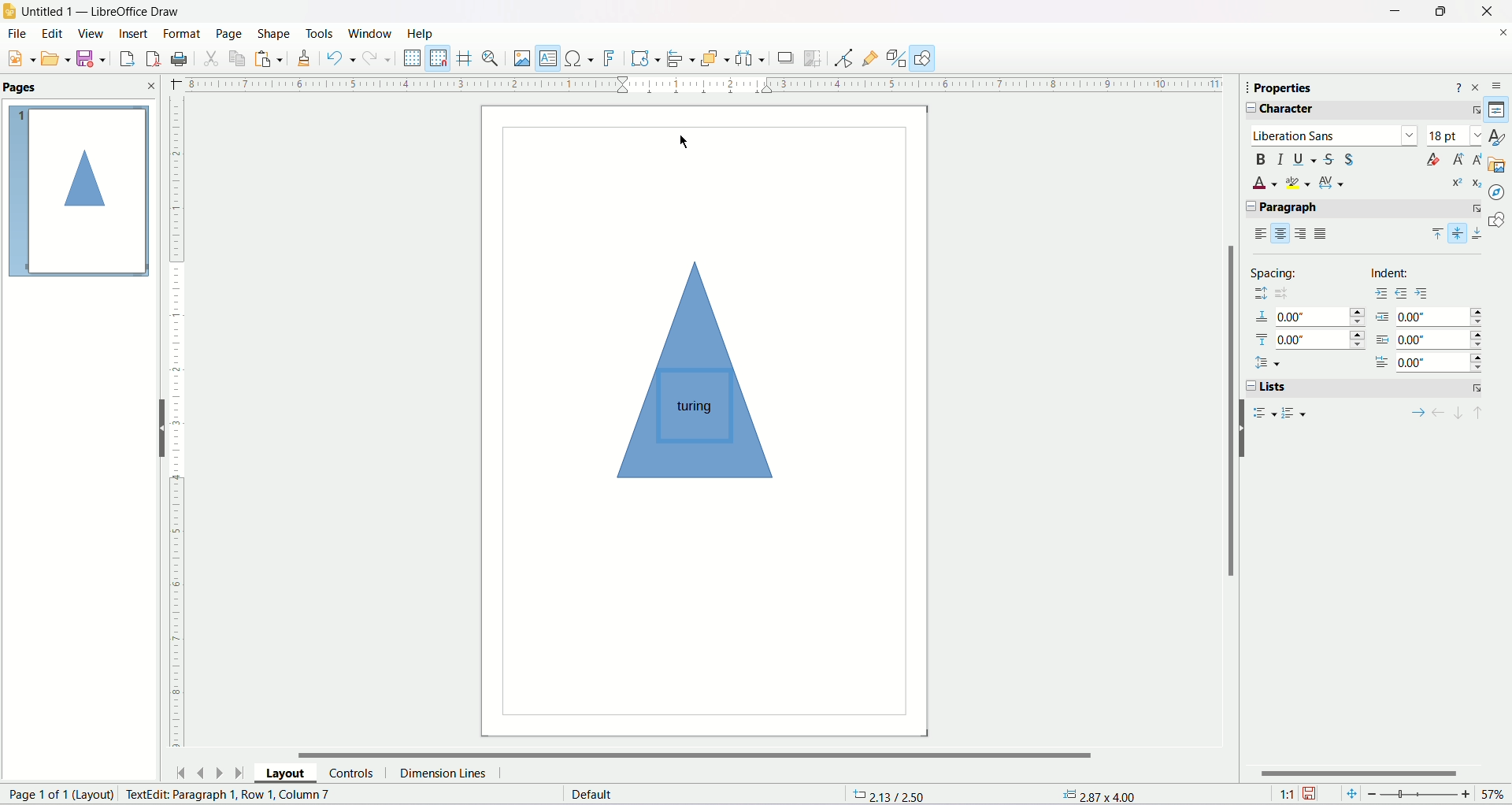 This screenshot has width=1512, height=805. I want to click on Shapes, so click(1499, 220).